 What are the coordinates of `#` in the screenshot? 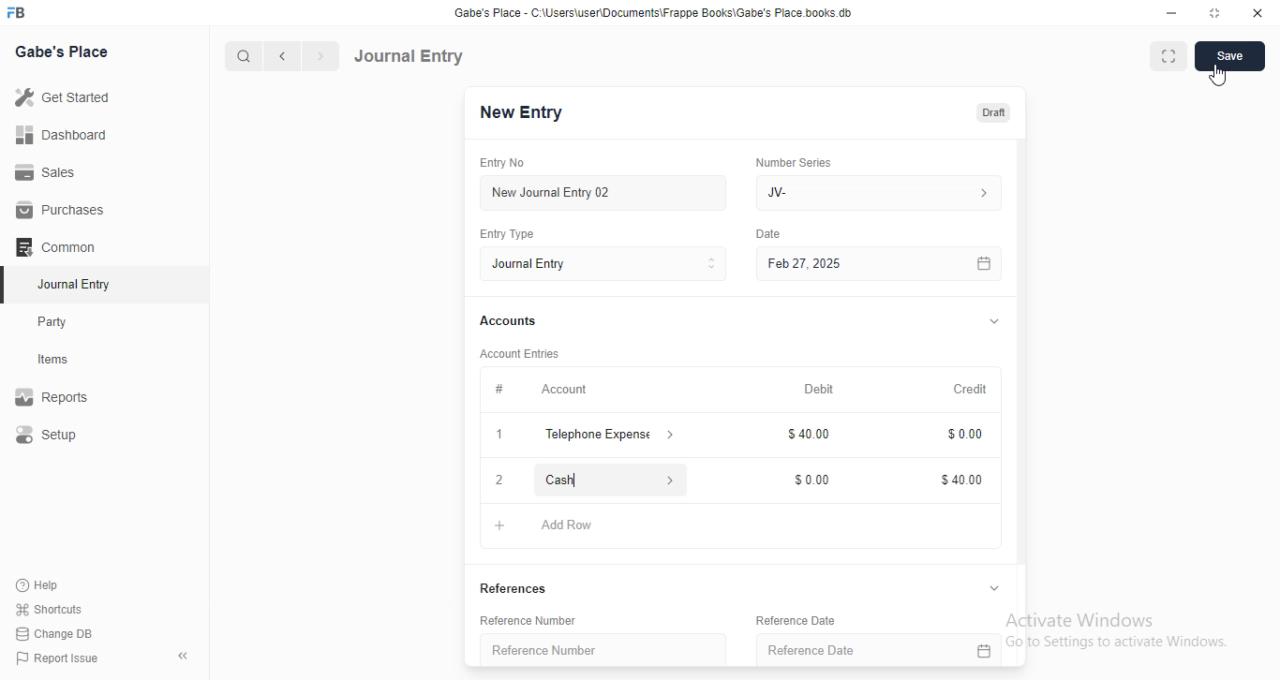 It's located at (499, 388).